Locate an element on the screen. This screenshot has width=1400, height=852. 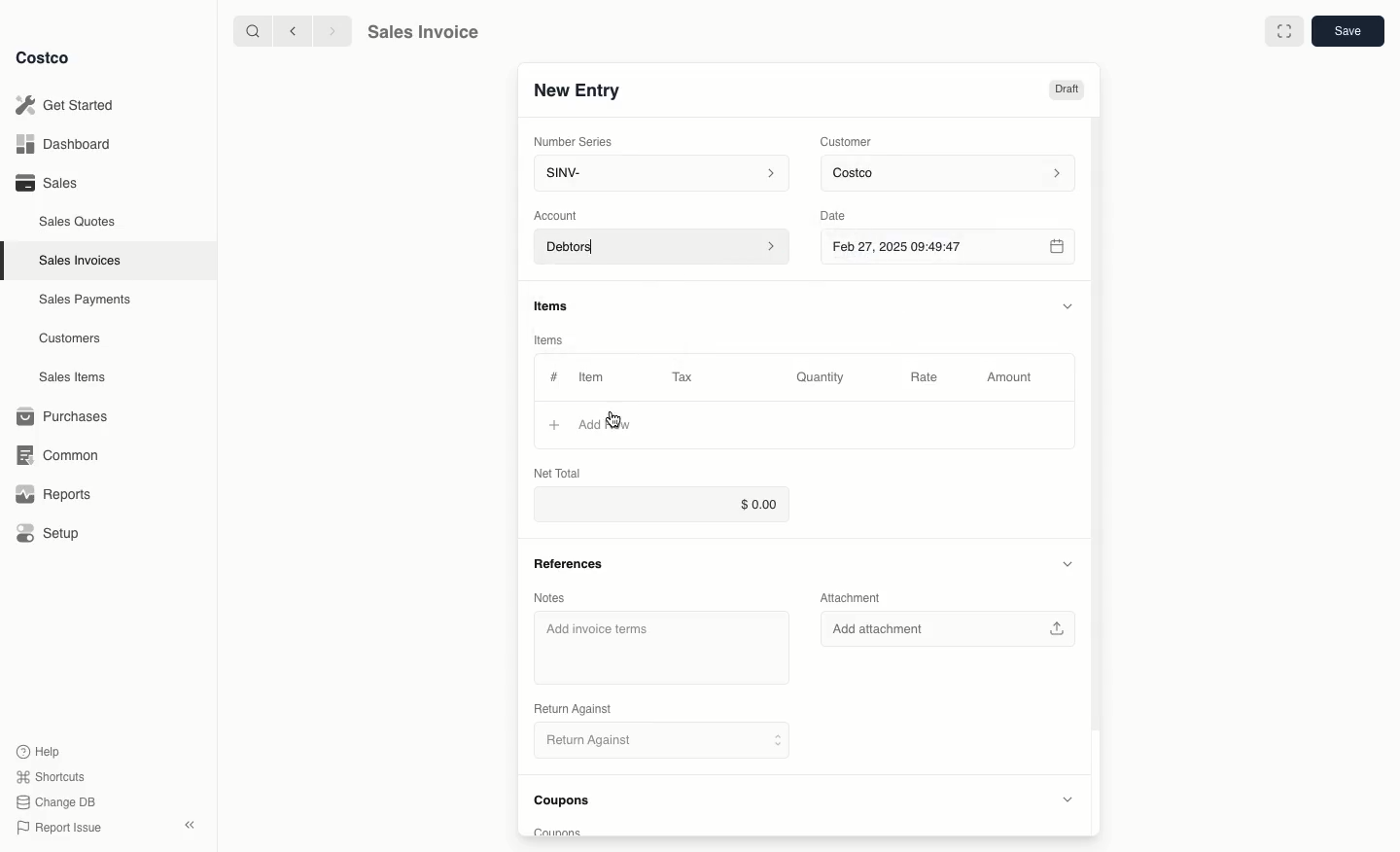
‘Sales Payments is located at coordinates (85, 298).